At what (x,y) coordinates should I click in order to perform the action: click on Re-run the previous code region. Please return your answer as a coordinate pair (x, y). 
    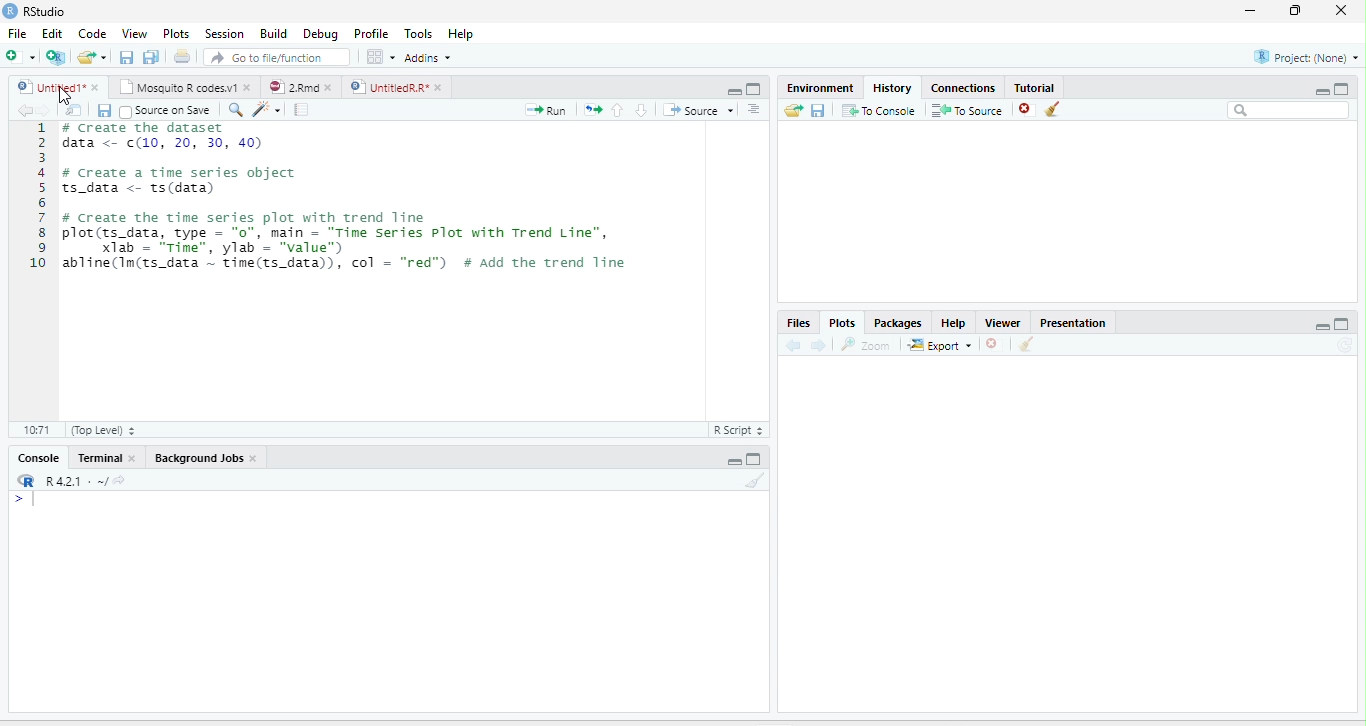
    Looking at the image, I should click on (592, 110).